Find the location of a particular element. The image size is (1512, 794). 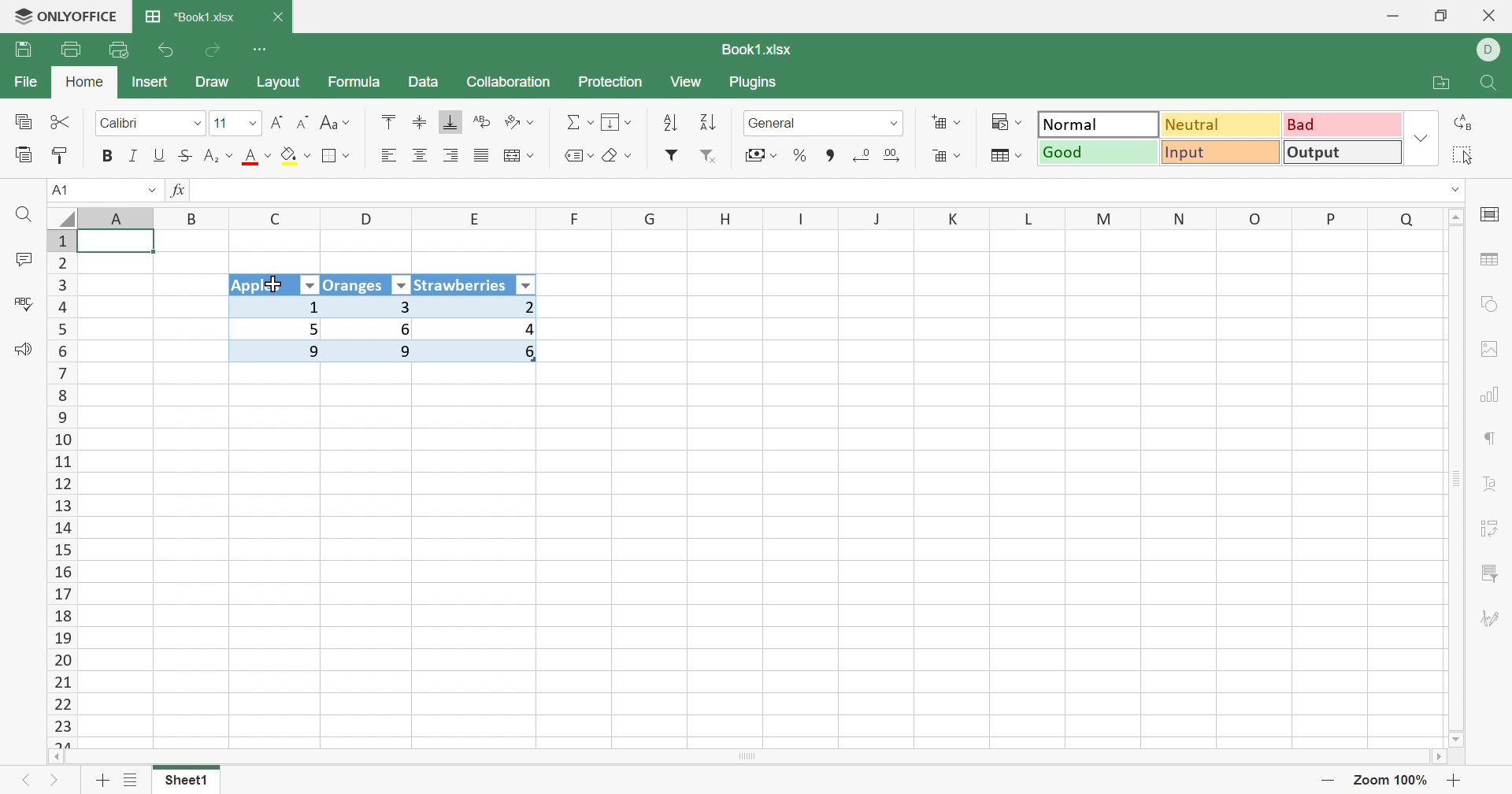

File is located at coordinates (22, 83).